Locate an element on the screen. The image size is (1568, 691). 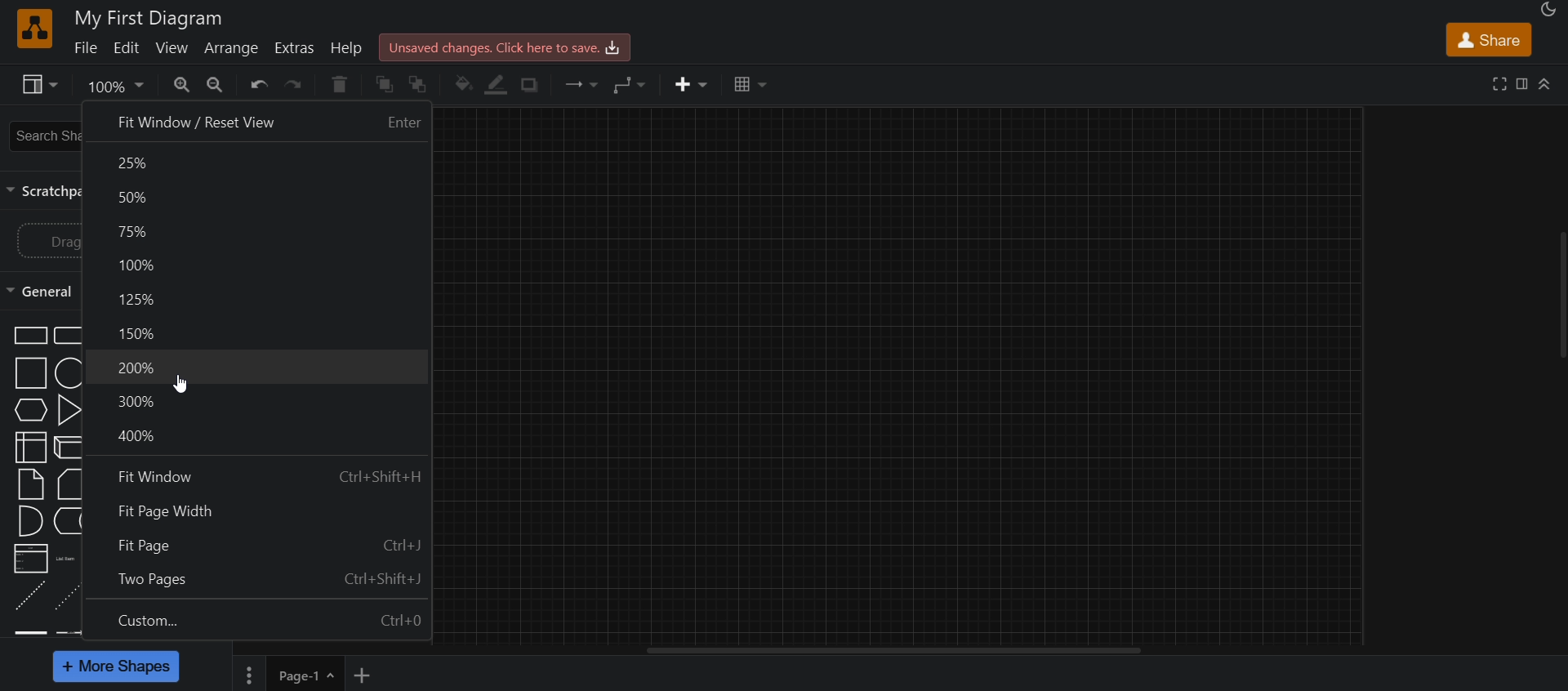
200% is located at coordinates (265, 362).